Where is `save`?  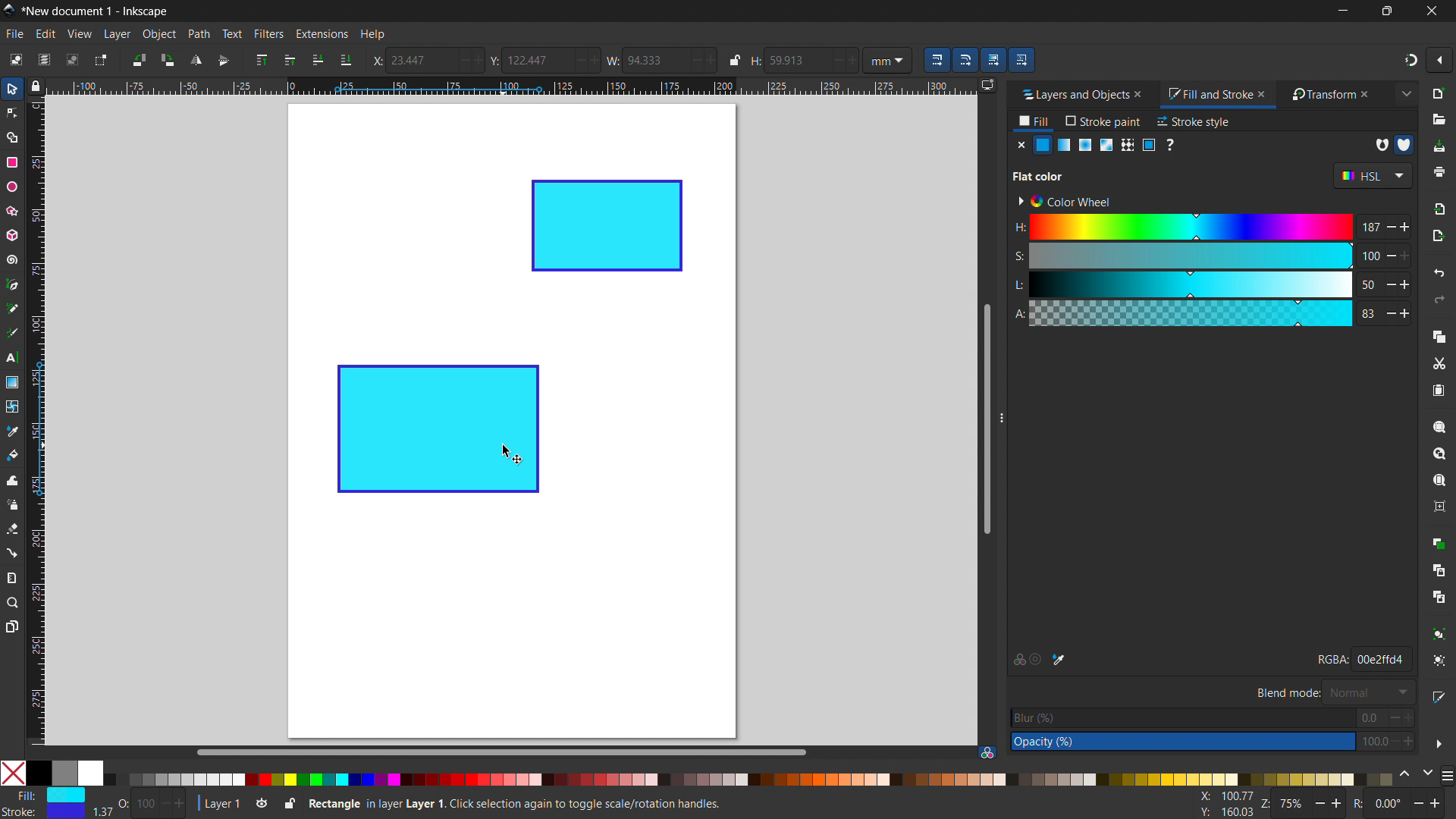 save is located at coordinates (1439, 147).